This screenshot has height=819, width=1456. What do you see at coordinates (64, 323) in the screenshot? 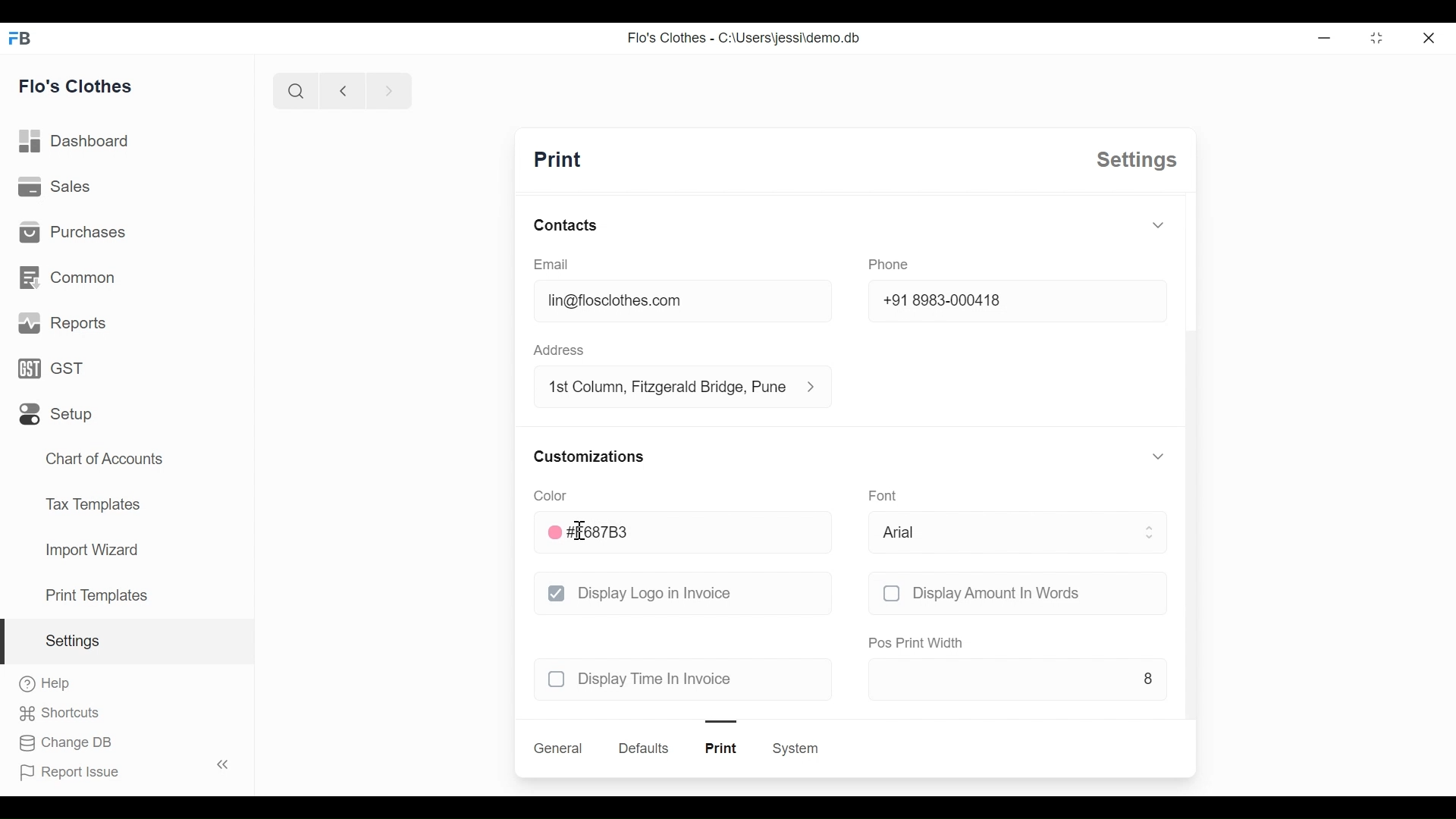
I see `reports` at bounding box center [64, 323].